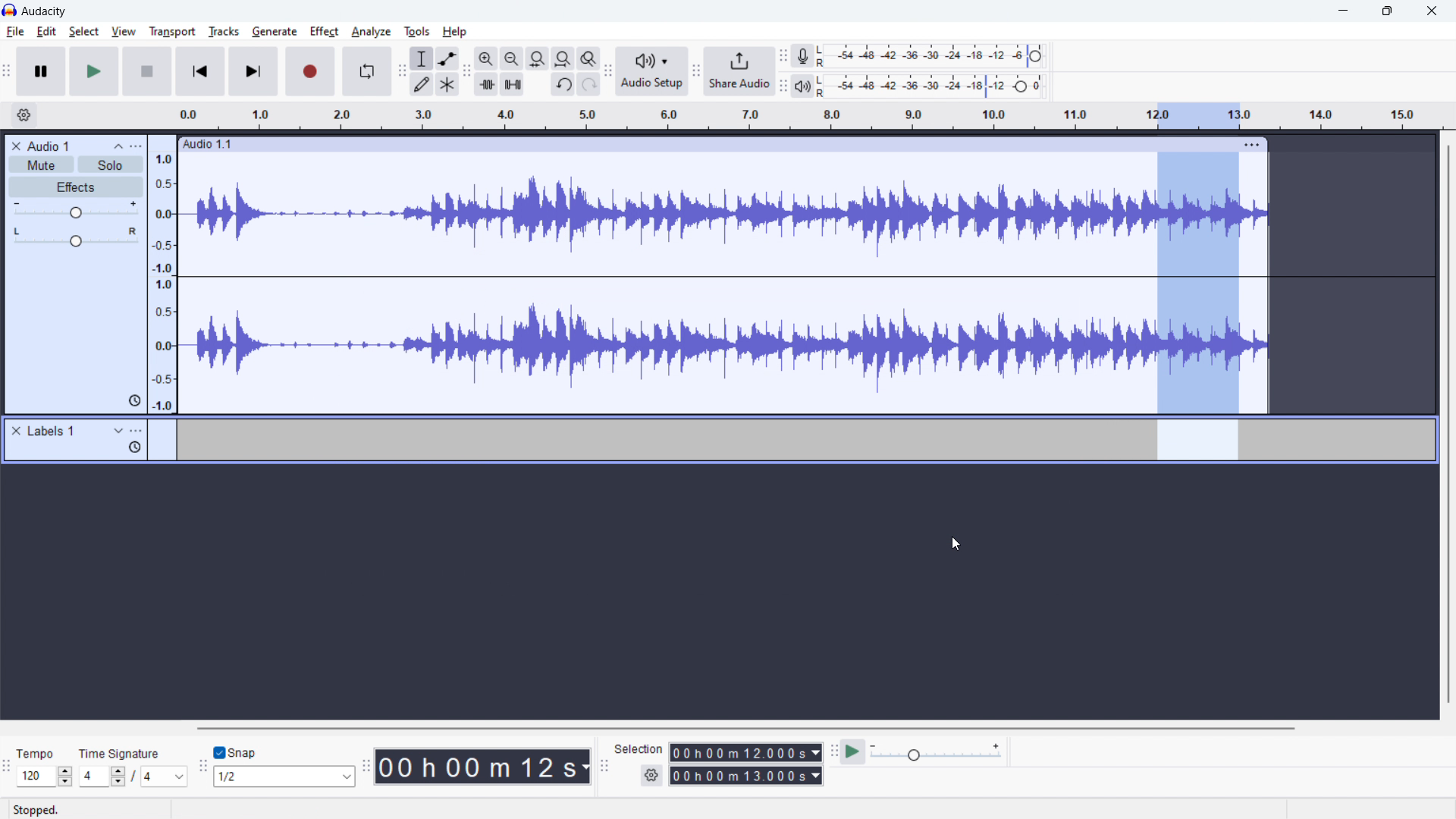 The width and height of the screenshot is (1456, 819). What do you see at coordinates (93, 71) in the screenshot?
I see `play` at bounding box center [93, 71].